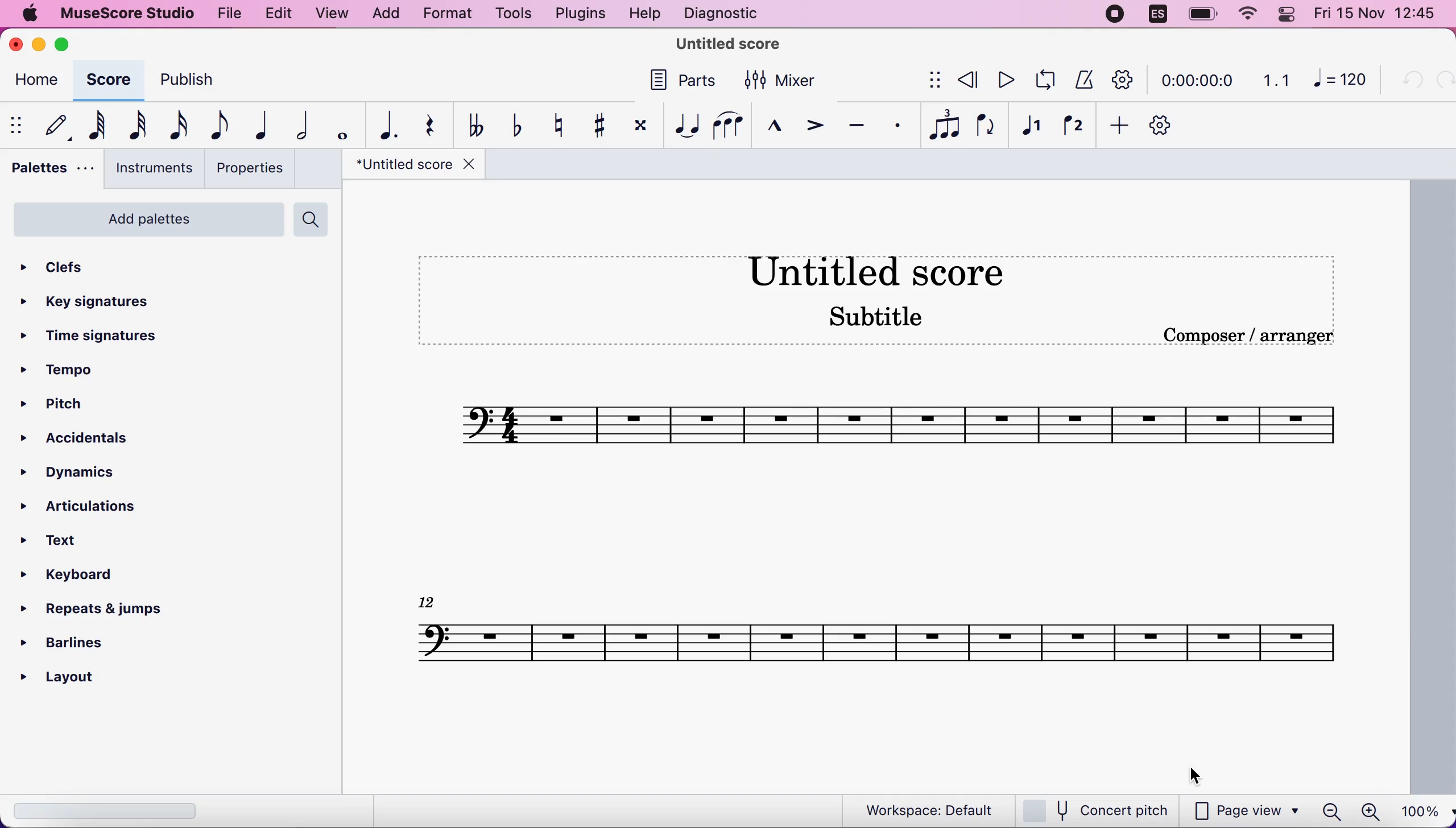 The height and width of the screenshot is (828, 1456). What do you see at coordinates (899, 124) in the screenshot?
I see `staccato` at bounding box center [899, 124].